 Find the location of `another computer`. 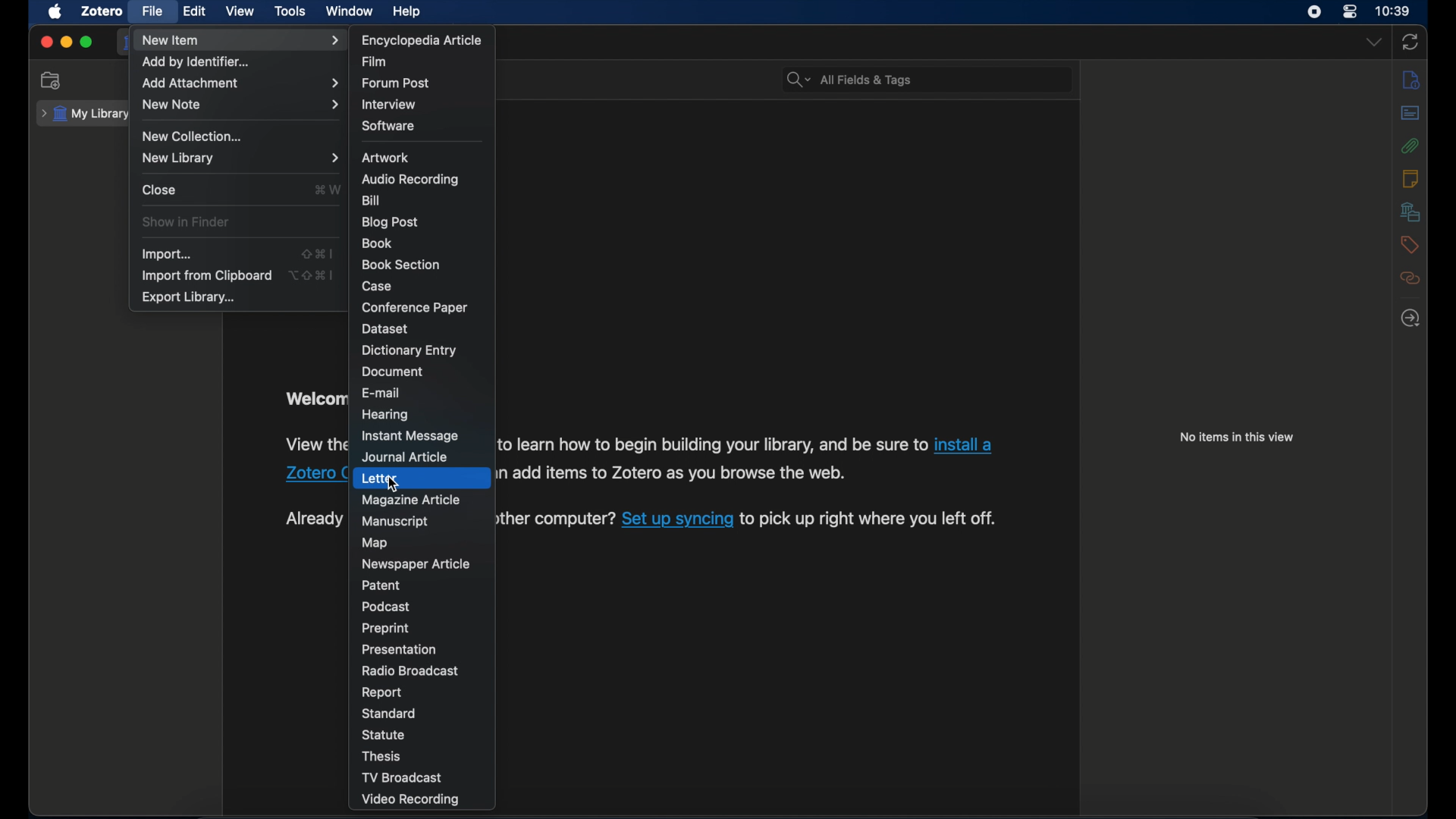

another computer is located at coordinates (557, 519).